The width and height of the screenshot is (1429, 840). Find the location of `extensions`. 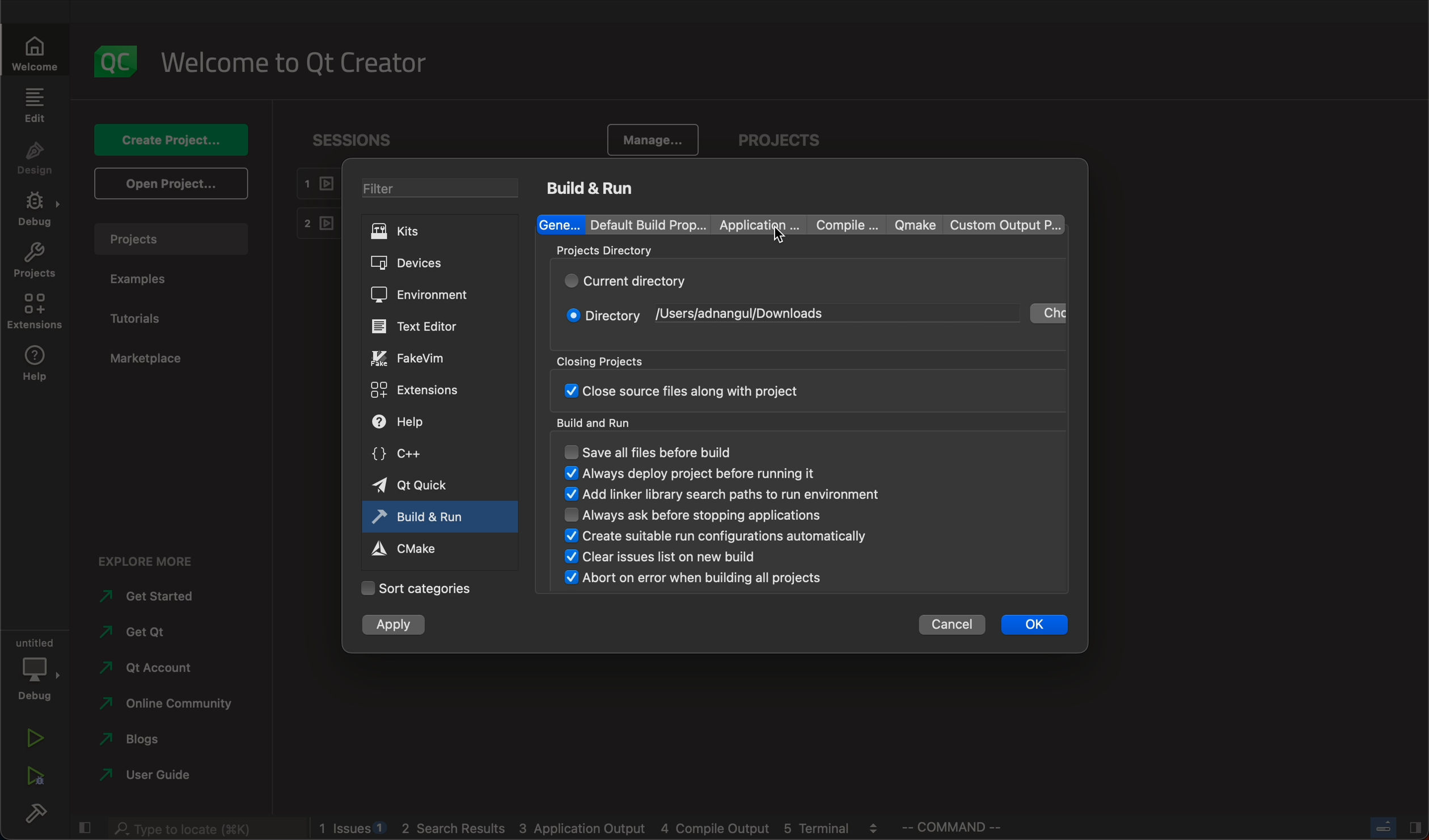

extensions is located at coordinates (428, 389).